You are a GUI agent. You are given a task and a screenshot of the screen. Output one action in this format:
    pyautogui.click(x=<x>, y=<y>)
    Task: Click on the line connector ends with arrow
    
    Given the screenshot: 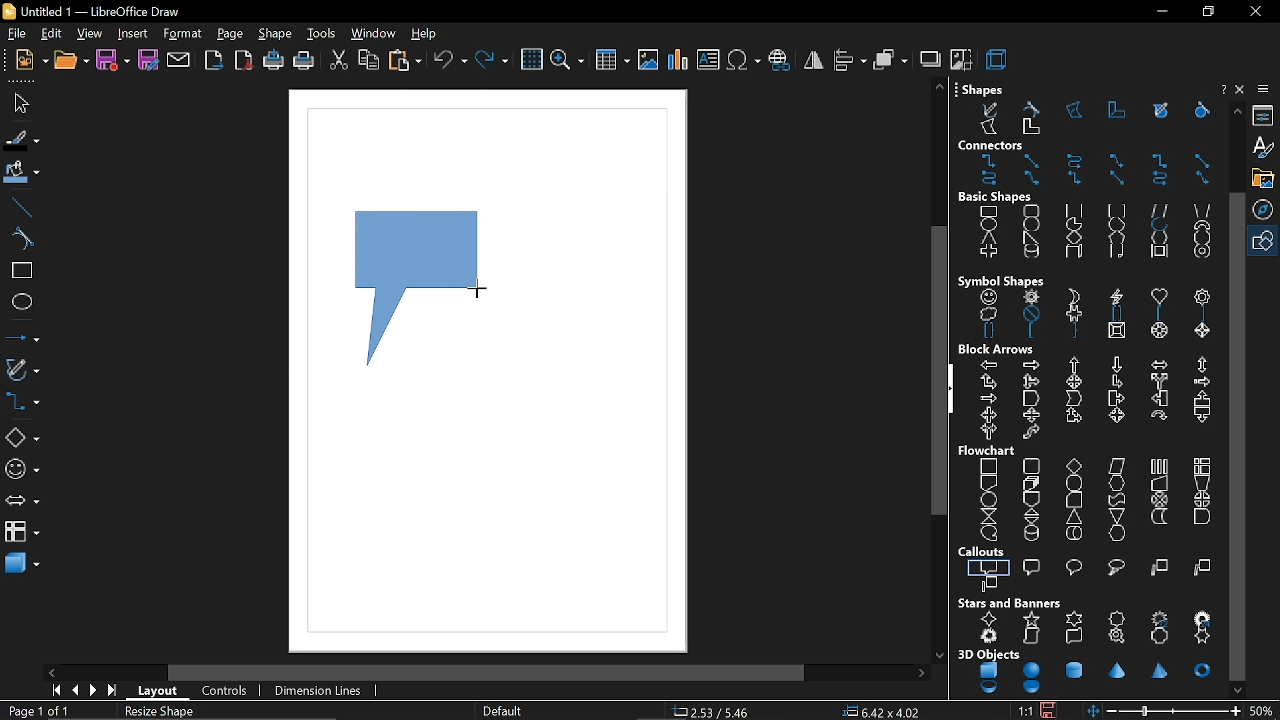 What is the action you would take?
    pyautogui.click(x=1118, y=161)
    